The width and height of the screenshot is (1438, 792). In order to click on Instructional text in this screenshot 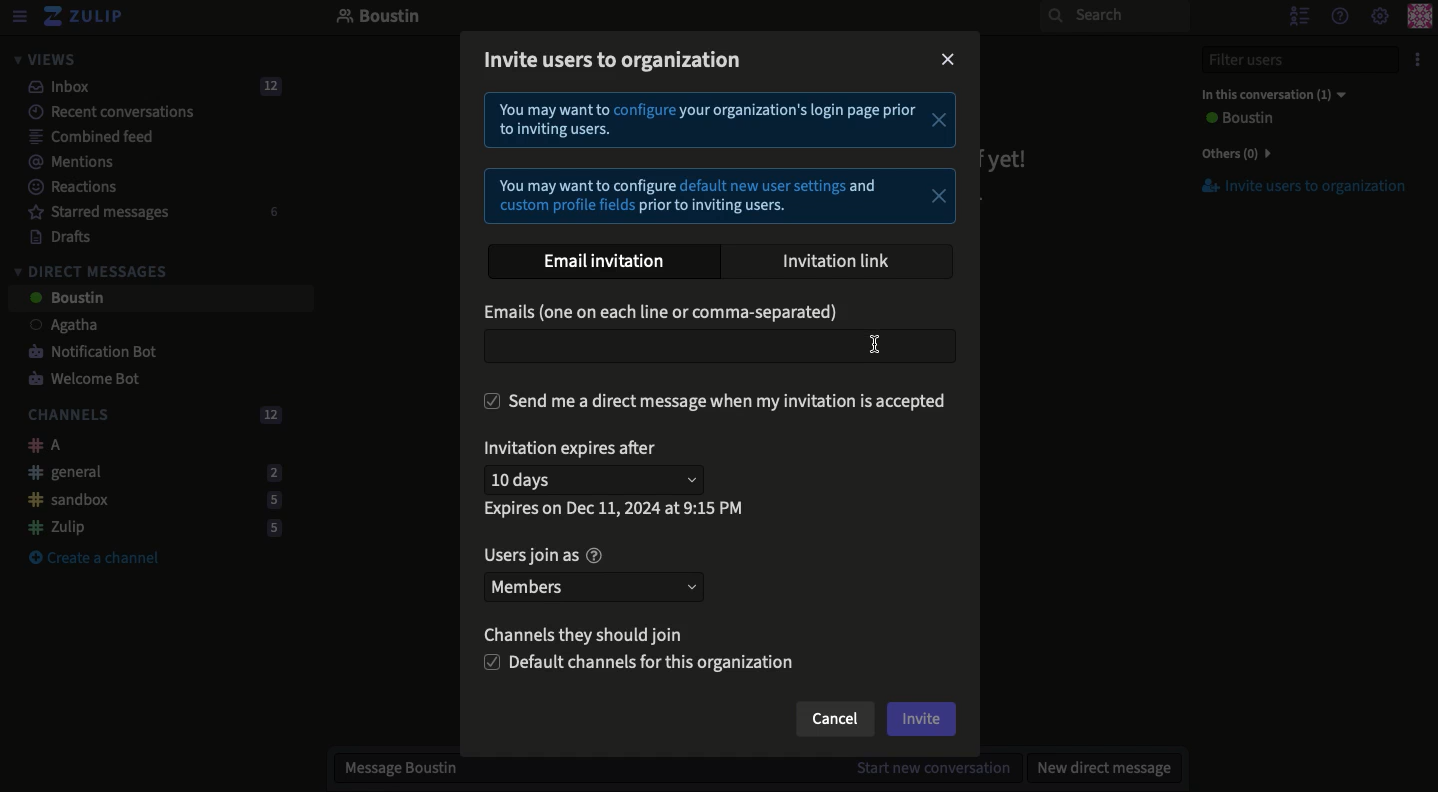, I will do `click(716, 159)`.